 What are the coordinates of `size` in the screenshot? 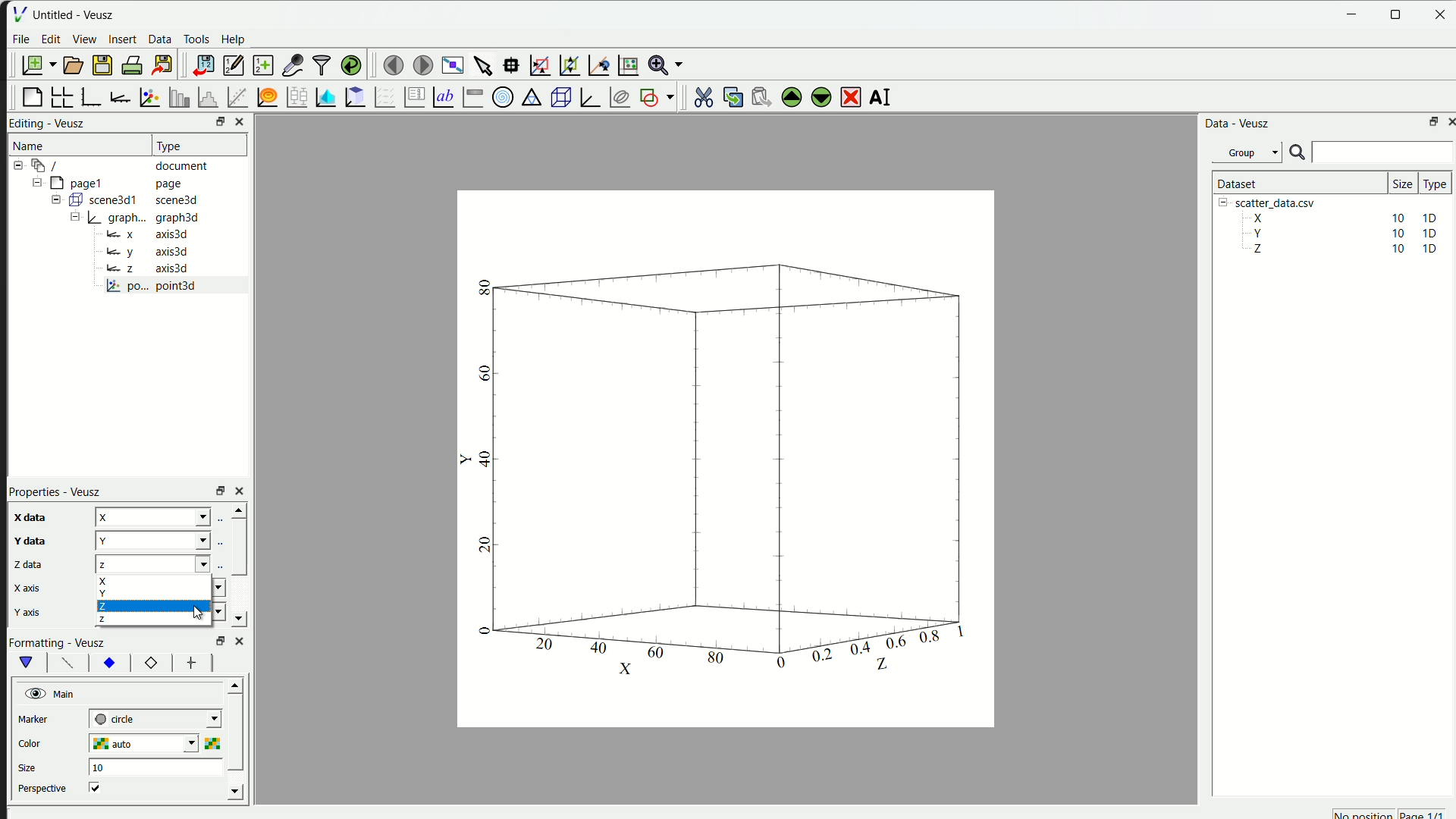 It's located at (31, 765).